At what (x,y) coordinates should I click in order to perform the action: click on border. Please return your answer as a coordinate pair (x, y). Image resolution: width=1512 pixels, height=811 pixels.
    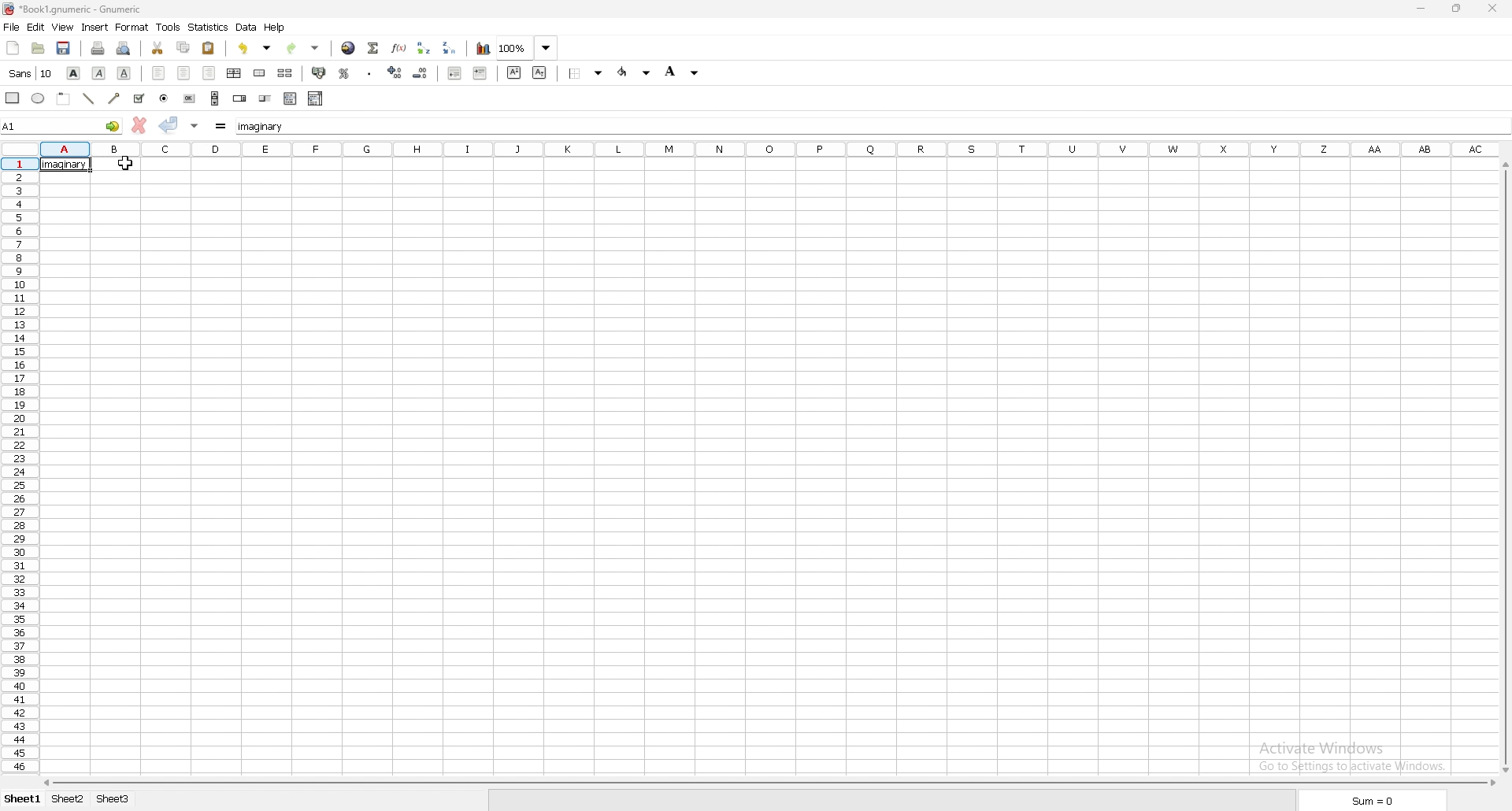
    Looking at the image, I should click on (586, 74).